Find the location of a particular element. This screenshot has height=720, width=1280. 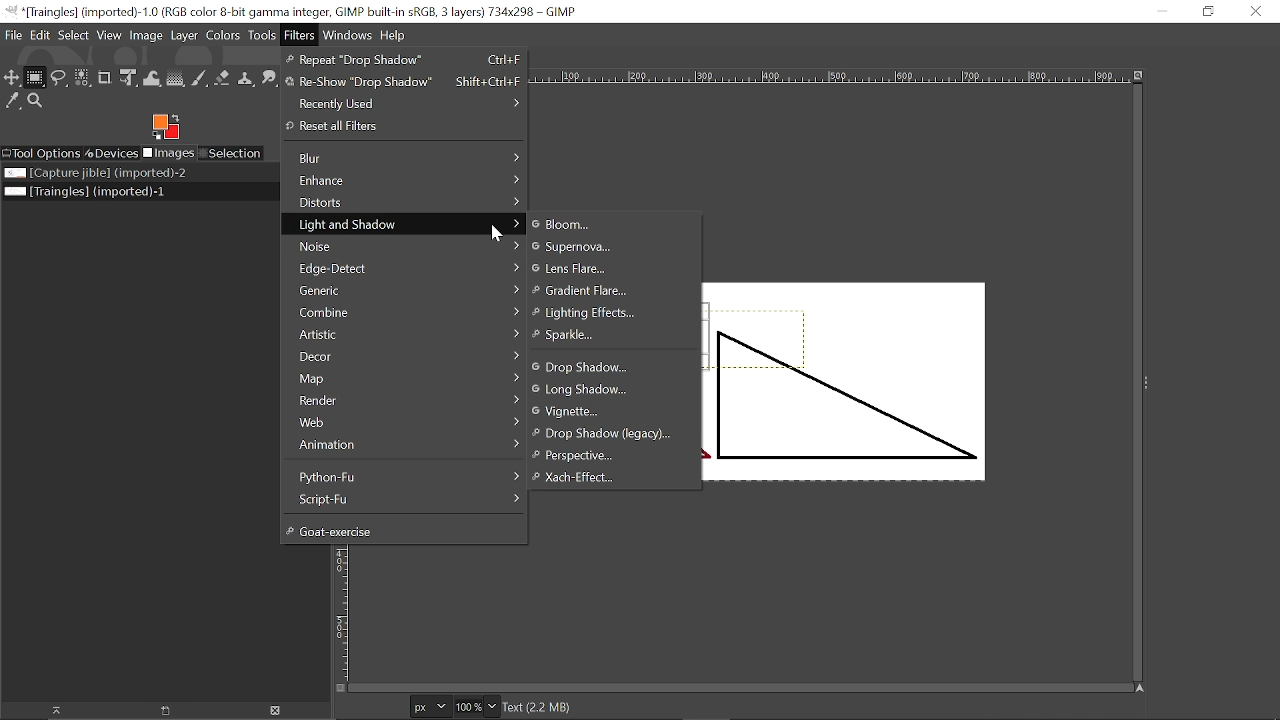

Paintbrush tool is located at coordinates (201, 79).